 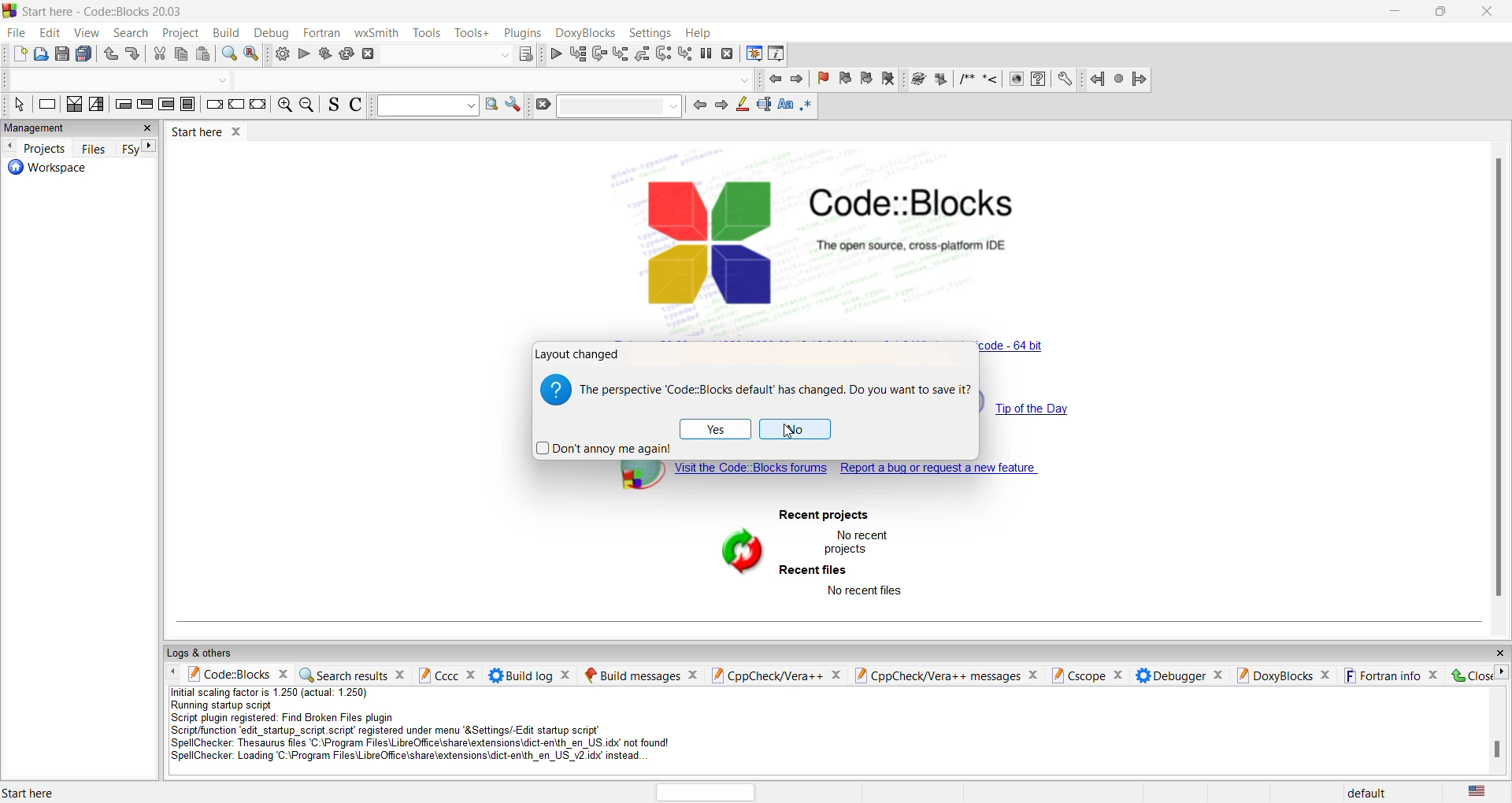 What do you see at coordinates (41, 55) in the screenshot?
I see `open` at bounding box center [41, 55].